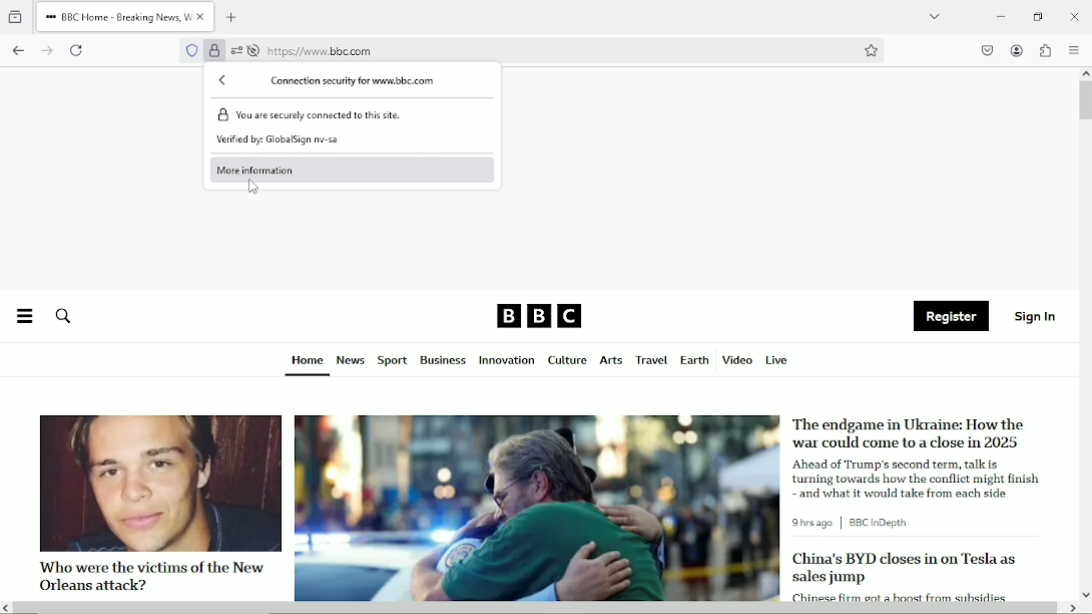 This screenshot has width=1092, height=614. What do you see at coordinates (537, 609) in the screenshot?
I see `Horizontal scrollbar` at bounding box center [537, 609].